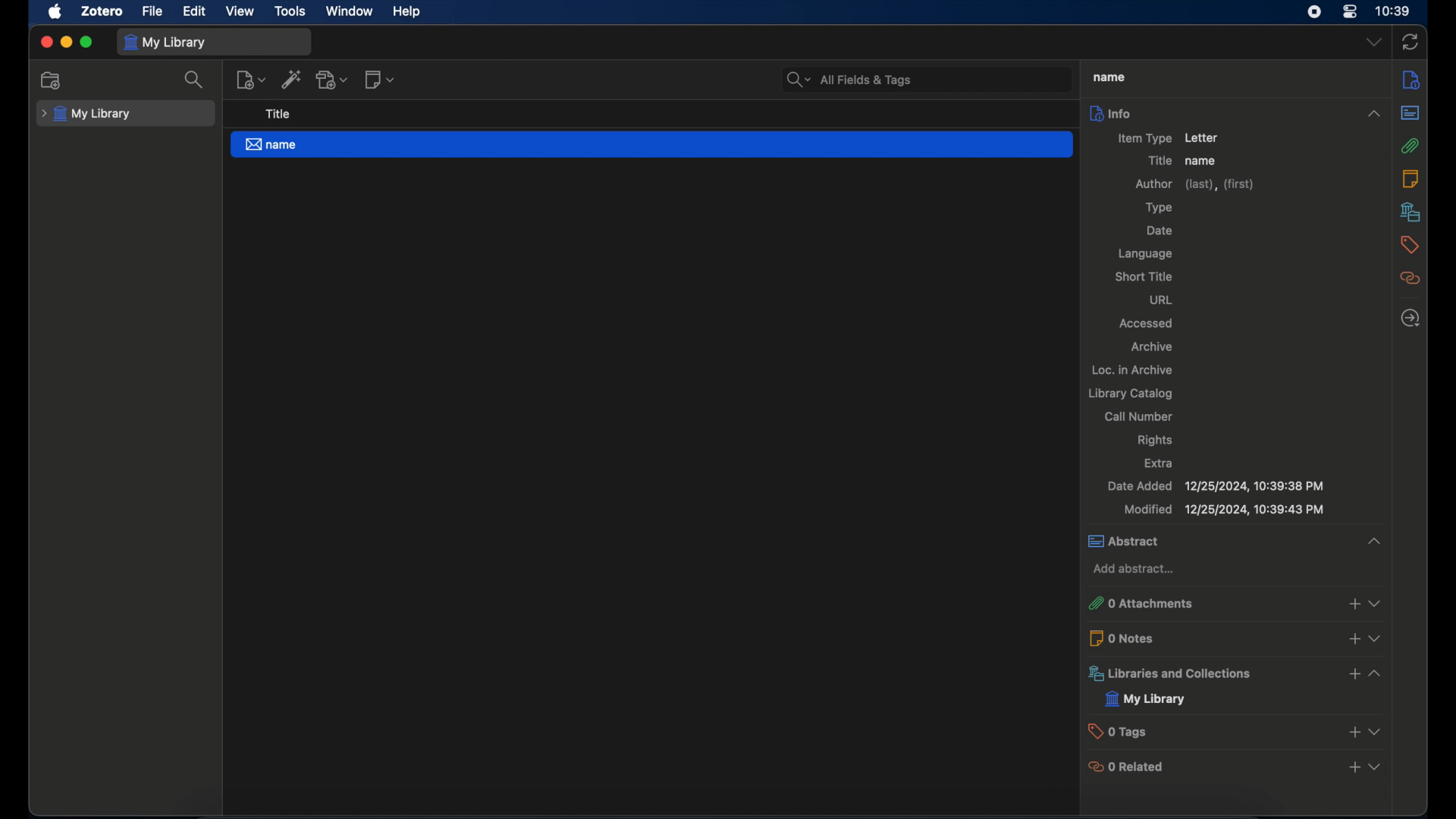  What do you see at coordinates (408, 12) in the screenshot?
I see `help` at bounding box center [408, 12].